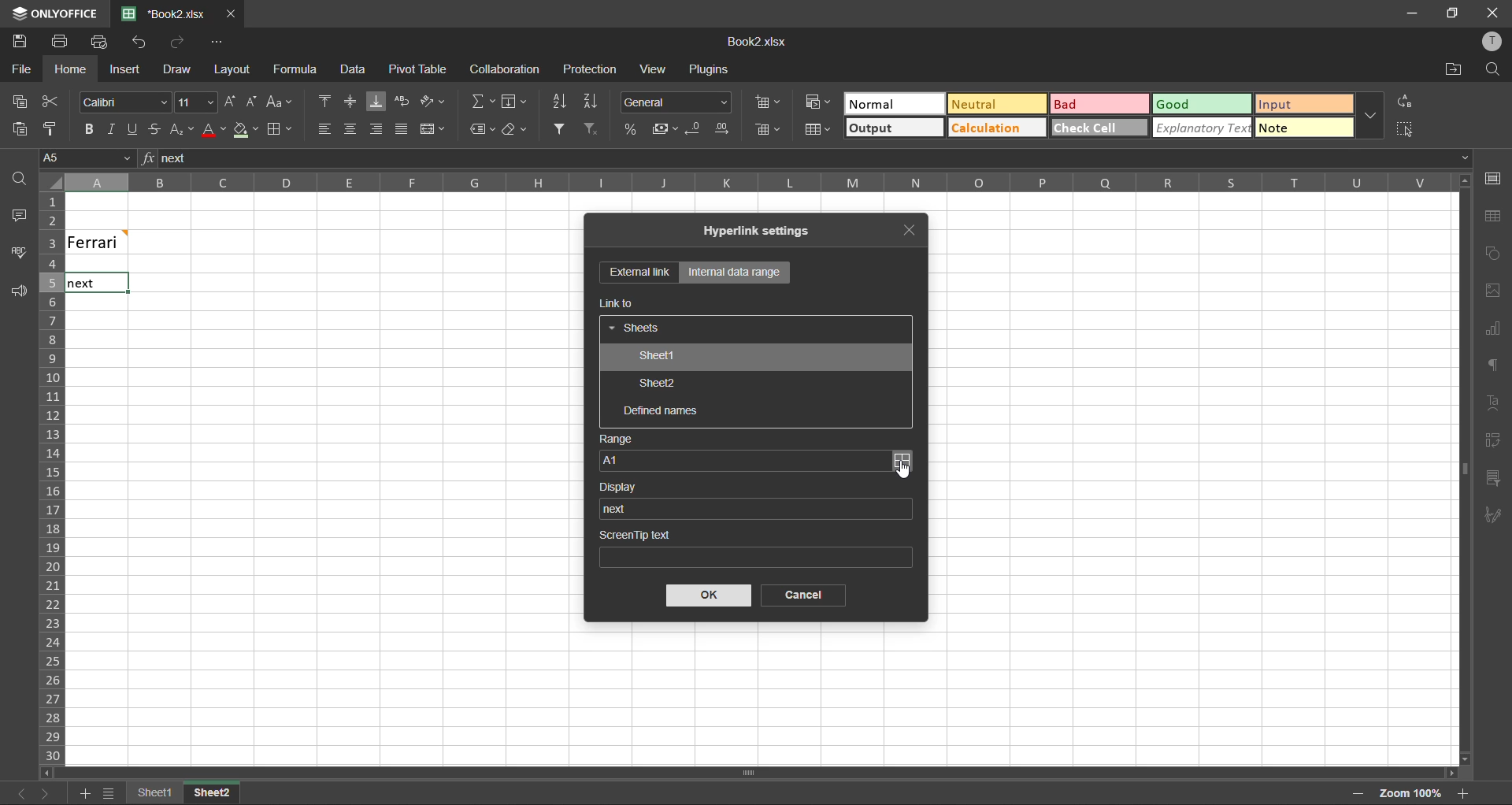 This screenshot has width=1512, height=805. I want to click on file, so click(20, 70).